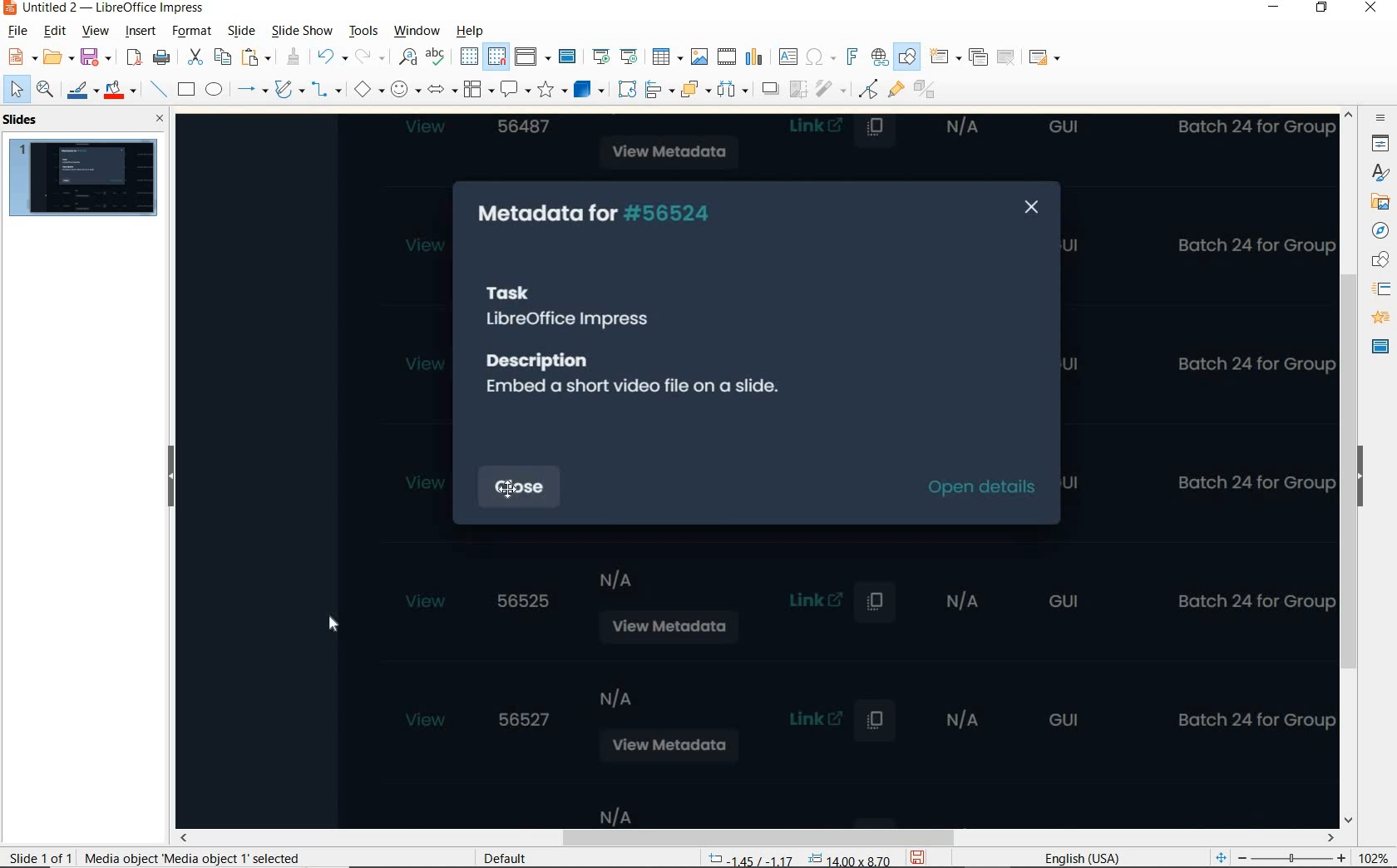 The height and width of the screenshot is (868, 1397). Describe the element at coordinates (333, 57) in the screenshot. I see `UNDO` at that location.